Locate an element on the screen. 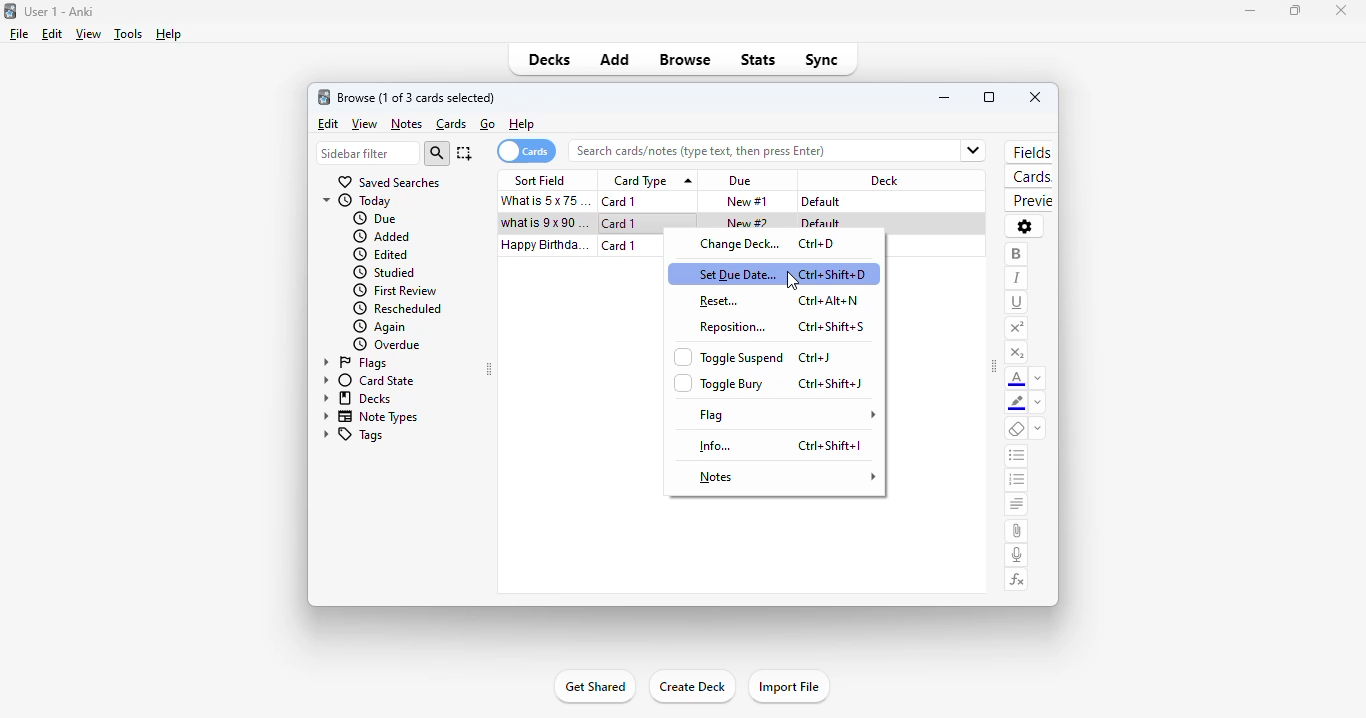 Image resolution: width=1366 pixels, height=718 pixels. alignment is located at coordinates (1016, 504).